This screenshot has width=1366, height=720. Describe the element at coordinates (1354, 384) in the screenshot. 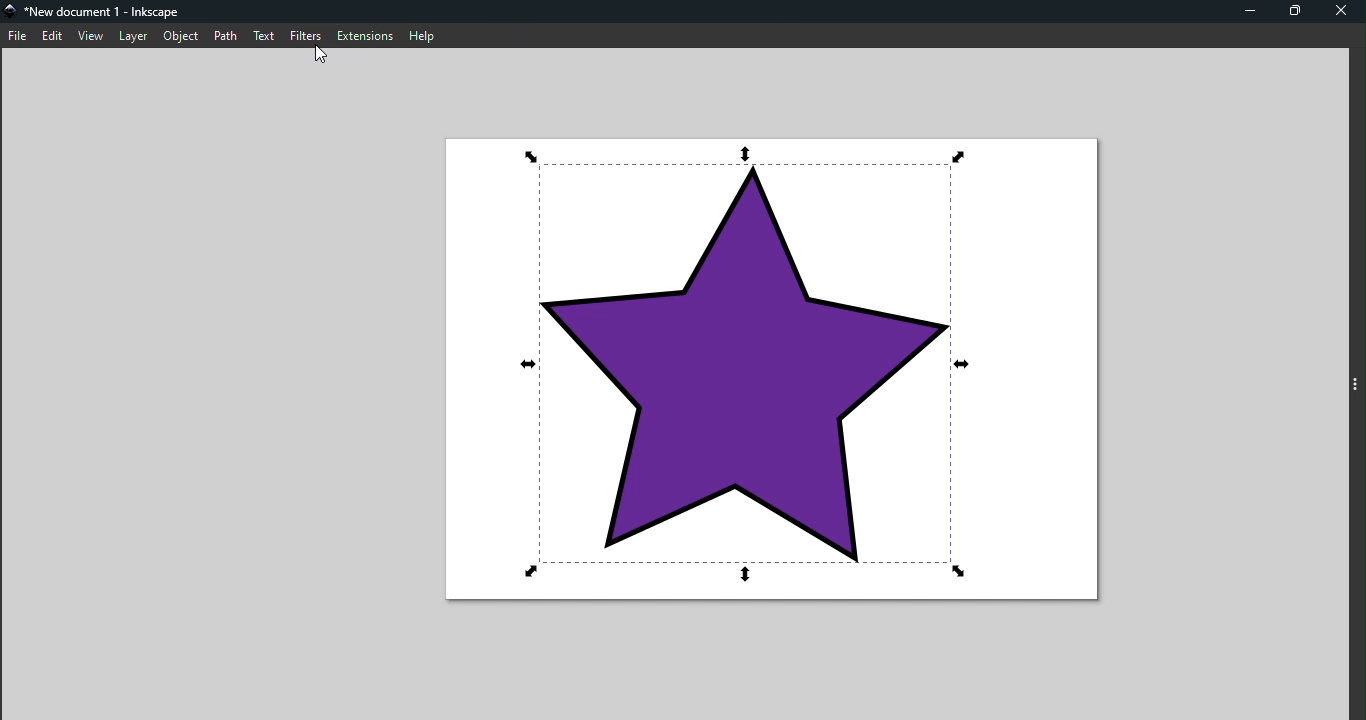

I see `toggle command panel` at that location.